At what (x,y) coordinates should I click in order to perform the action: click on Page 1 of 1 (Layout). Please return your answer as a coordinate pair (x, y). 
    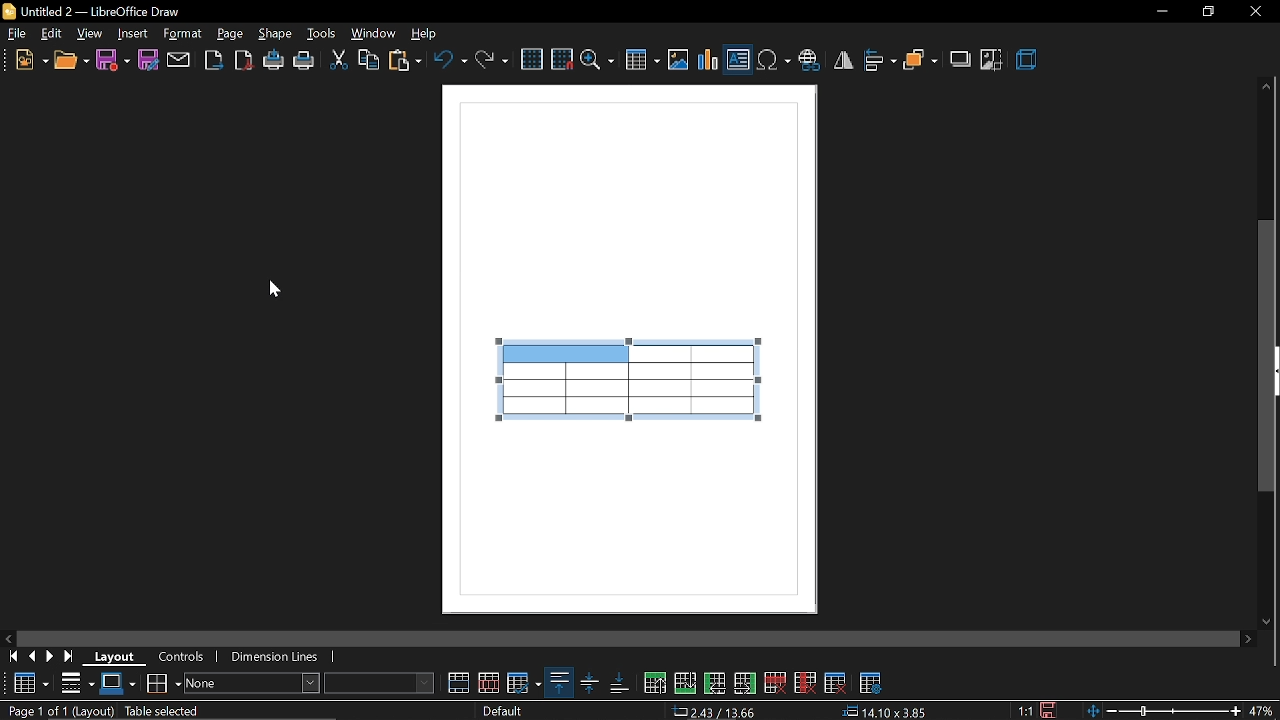
    Looking at the image, I should click on (58, 711).